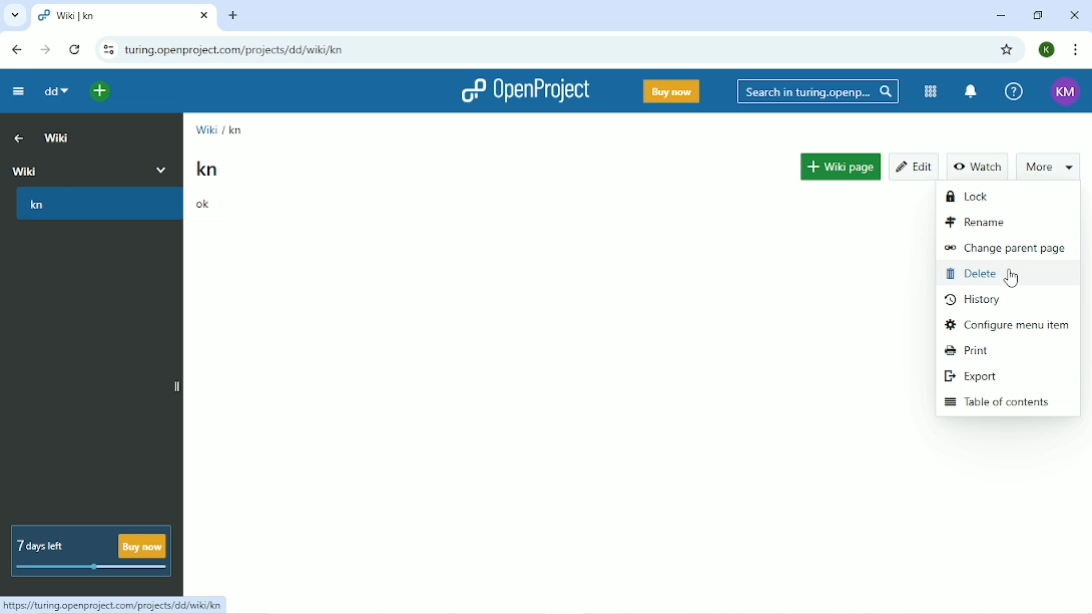 The height and width of the screenshot is (614, 1092). Describe the element at coordinates (1015, 90) in the screenshot. I see `Help` at that location.